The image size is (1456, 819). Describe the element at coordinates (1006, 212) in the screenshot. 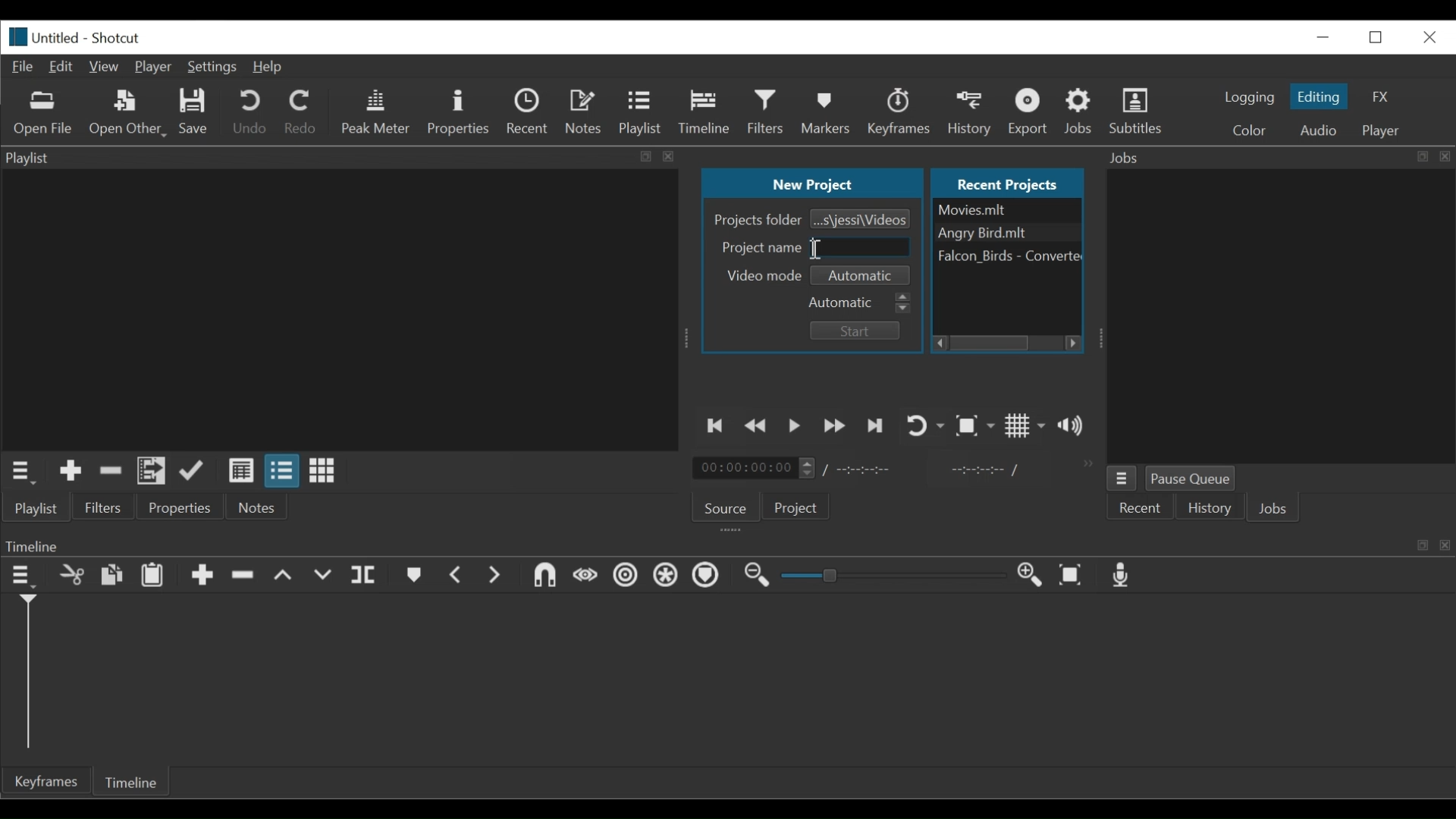

I see `File Nmae` at that location.